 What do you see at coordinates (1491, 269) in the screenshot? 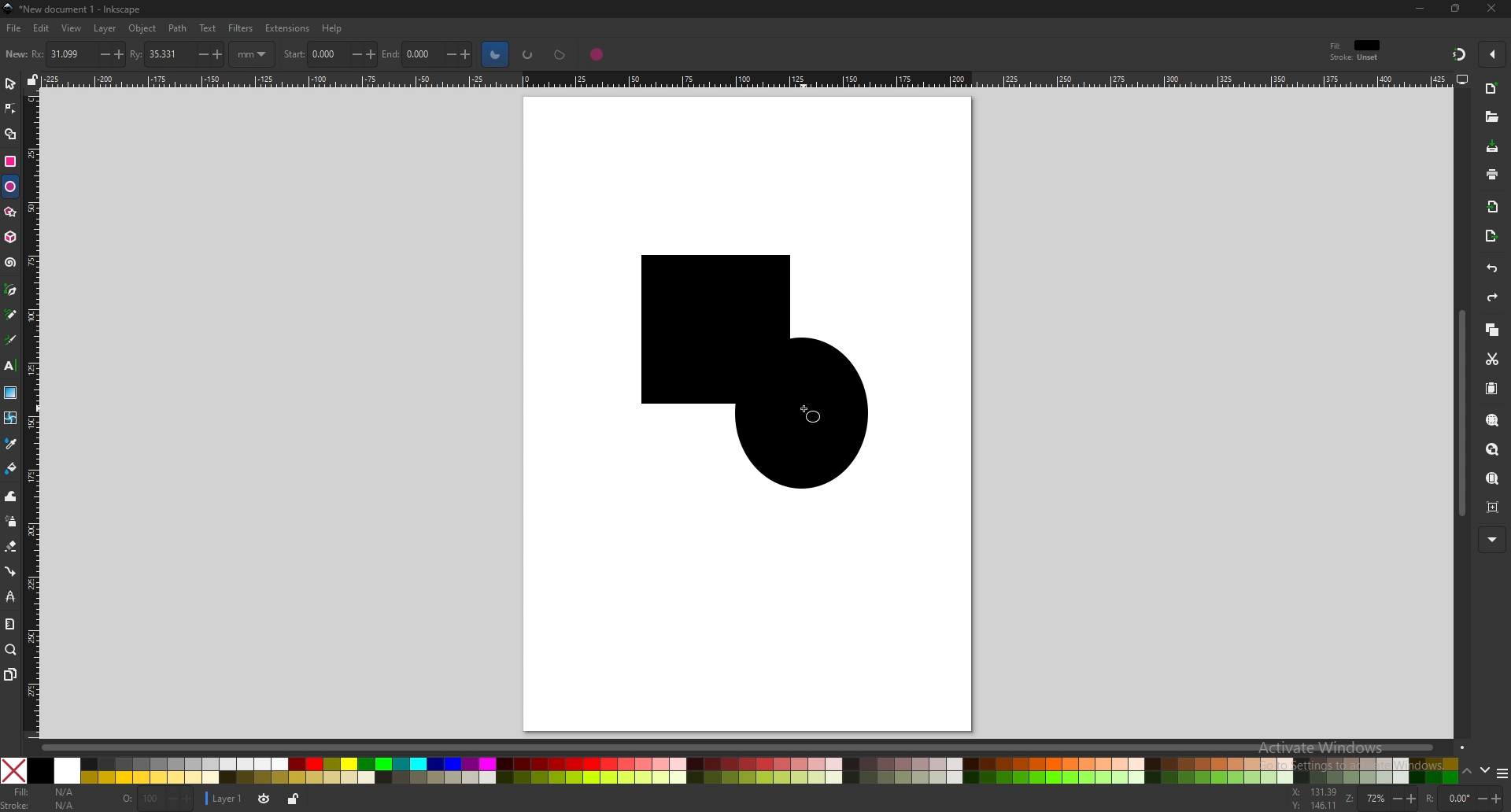
I see `undo` at bounding box center [1491, 269].